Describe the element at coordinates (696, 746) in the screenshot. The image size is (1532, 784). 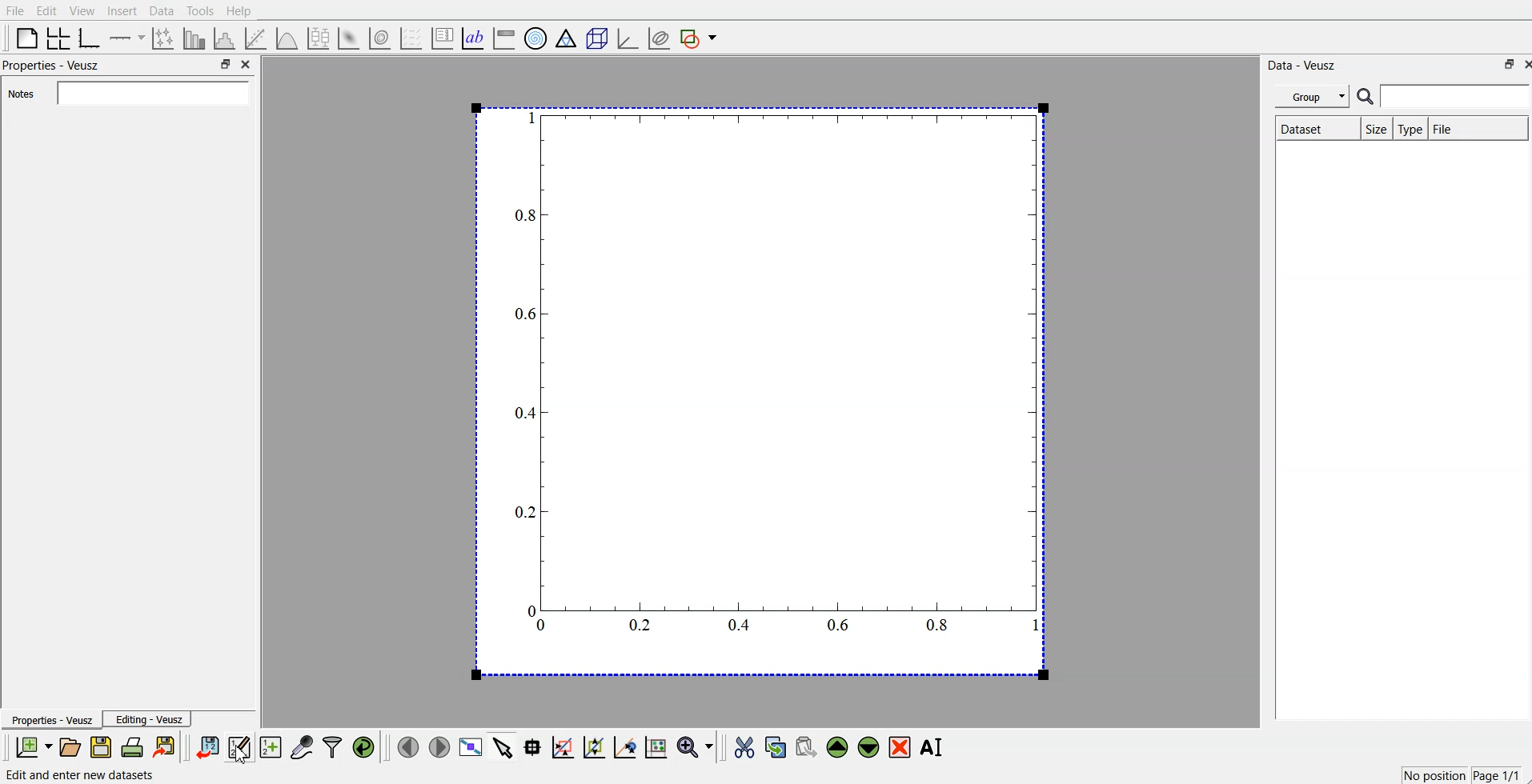
I see `zoom functions` at that location.